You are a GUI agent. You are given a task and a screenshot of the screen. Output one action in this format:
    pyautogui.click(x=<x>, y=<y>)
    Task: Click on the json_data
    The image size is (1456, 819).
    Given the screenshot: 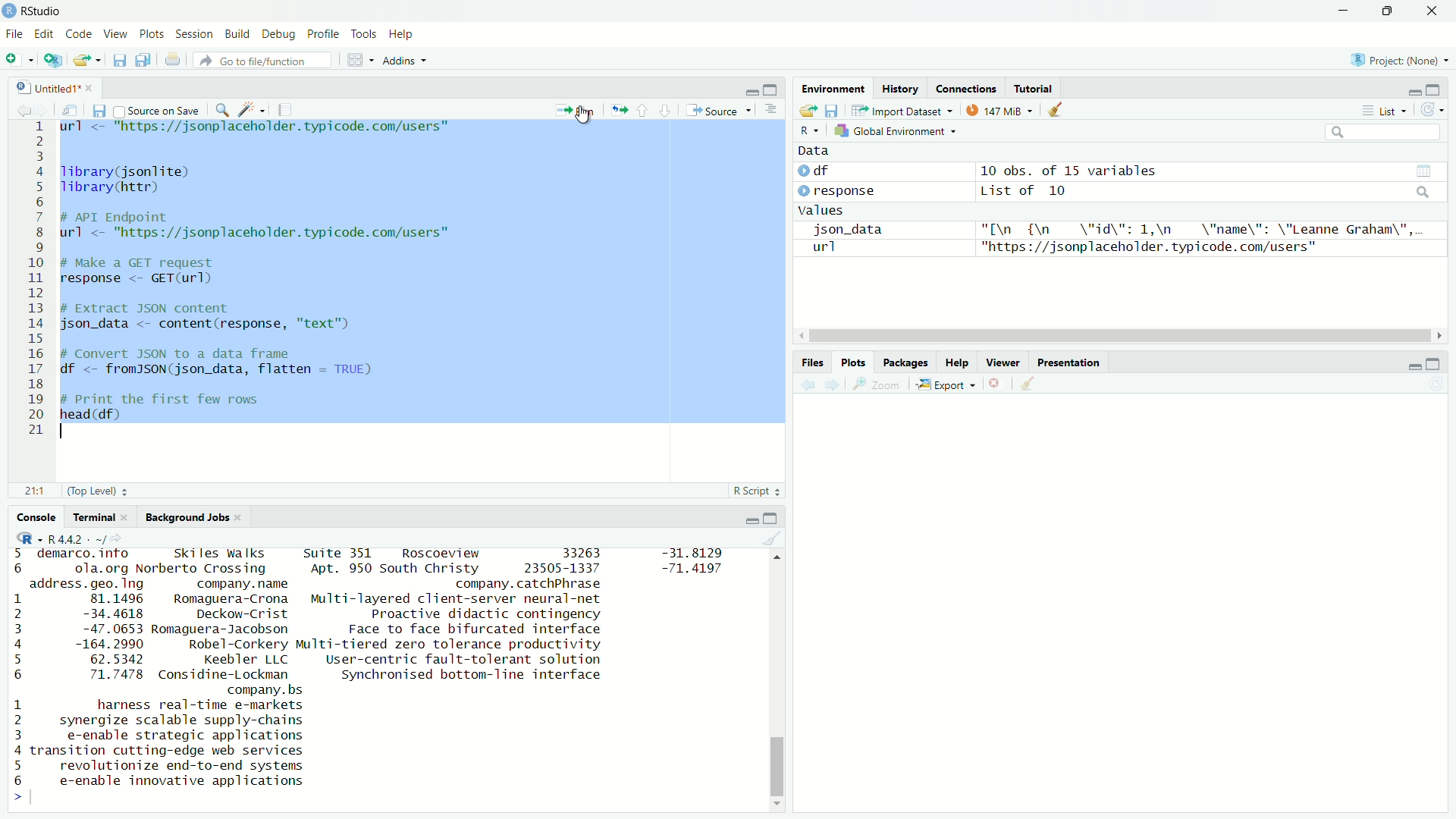 What is the action you would take?
    pyautogui.click(x=848, y=229)
    